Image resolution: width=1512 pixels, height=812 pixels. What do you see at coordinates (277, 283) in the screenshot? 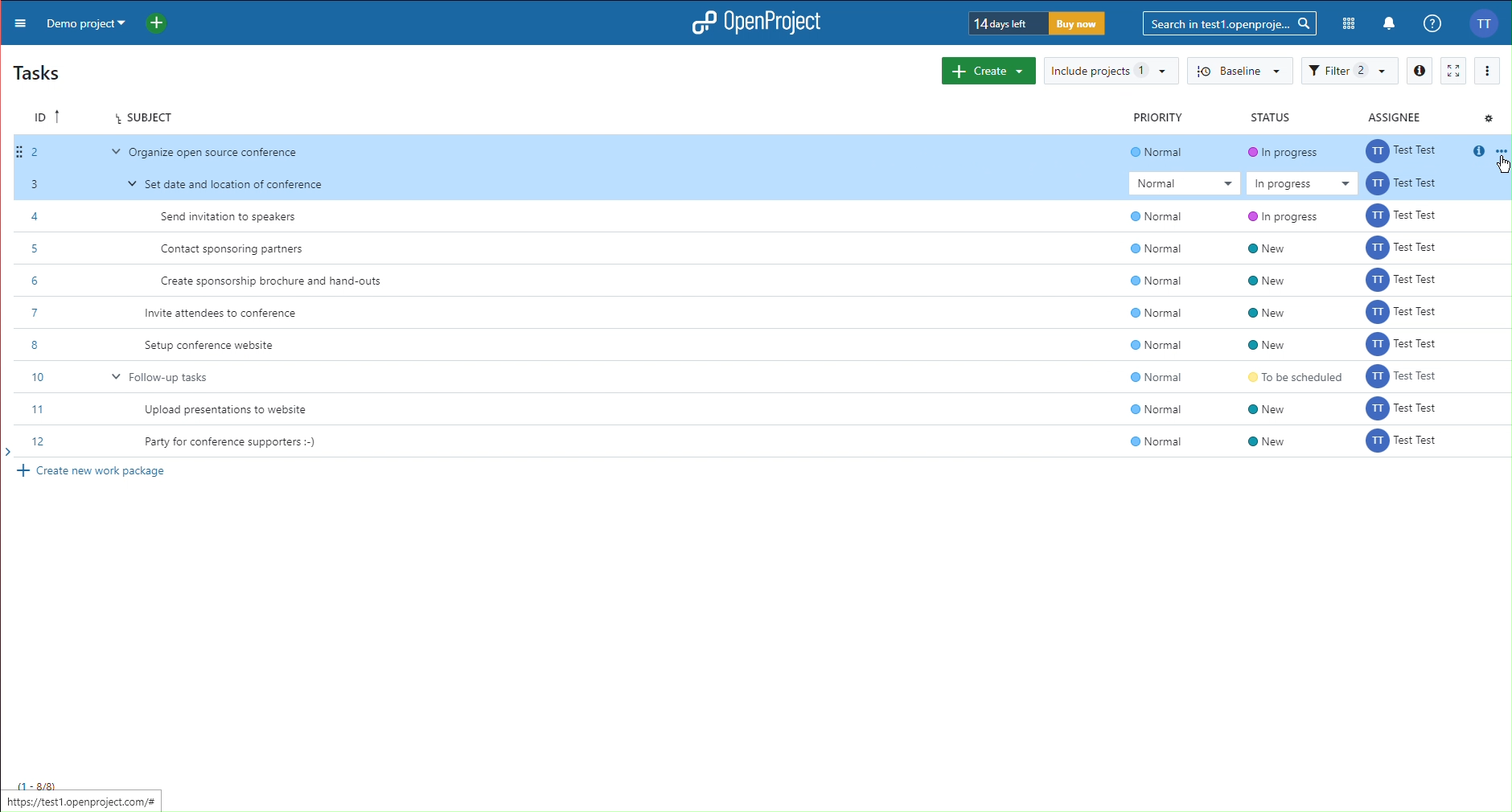
I see `Create sponsorship brochure and hand-outs` at bounding box center [277, 283].